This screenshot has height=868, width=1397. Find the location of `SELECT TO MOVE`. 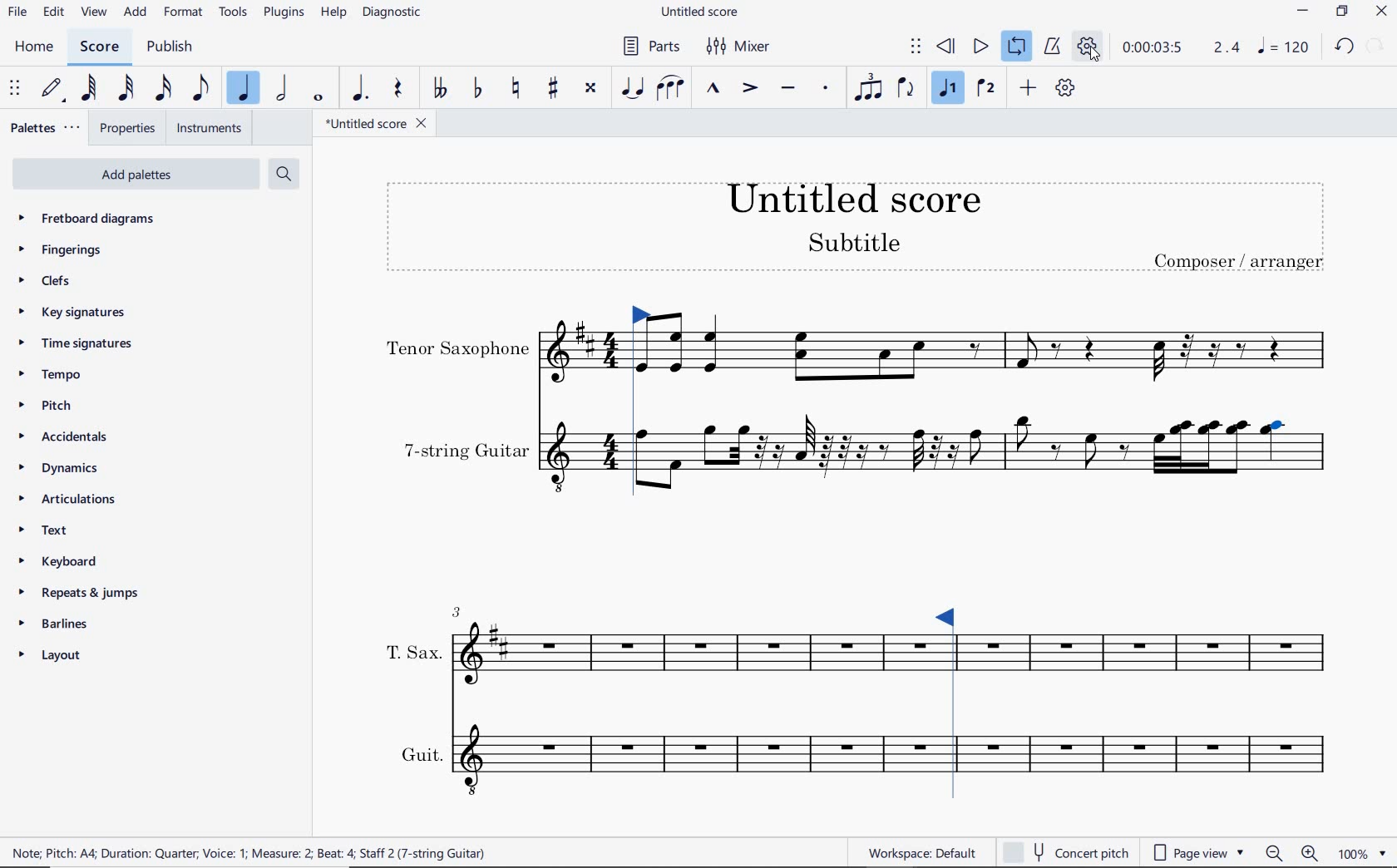

SELECT TO MOVE is located at coordinates (916, 45).